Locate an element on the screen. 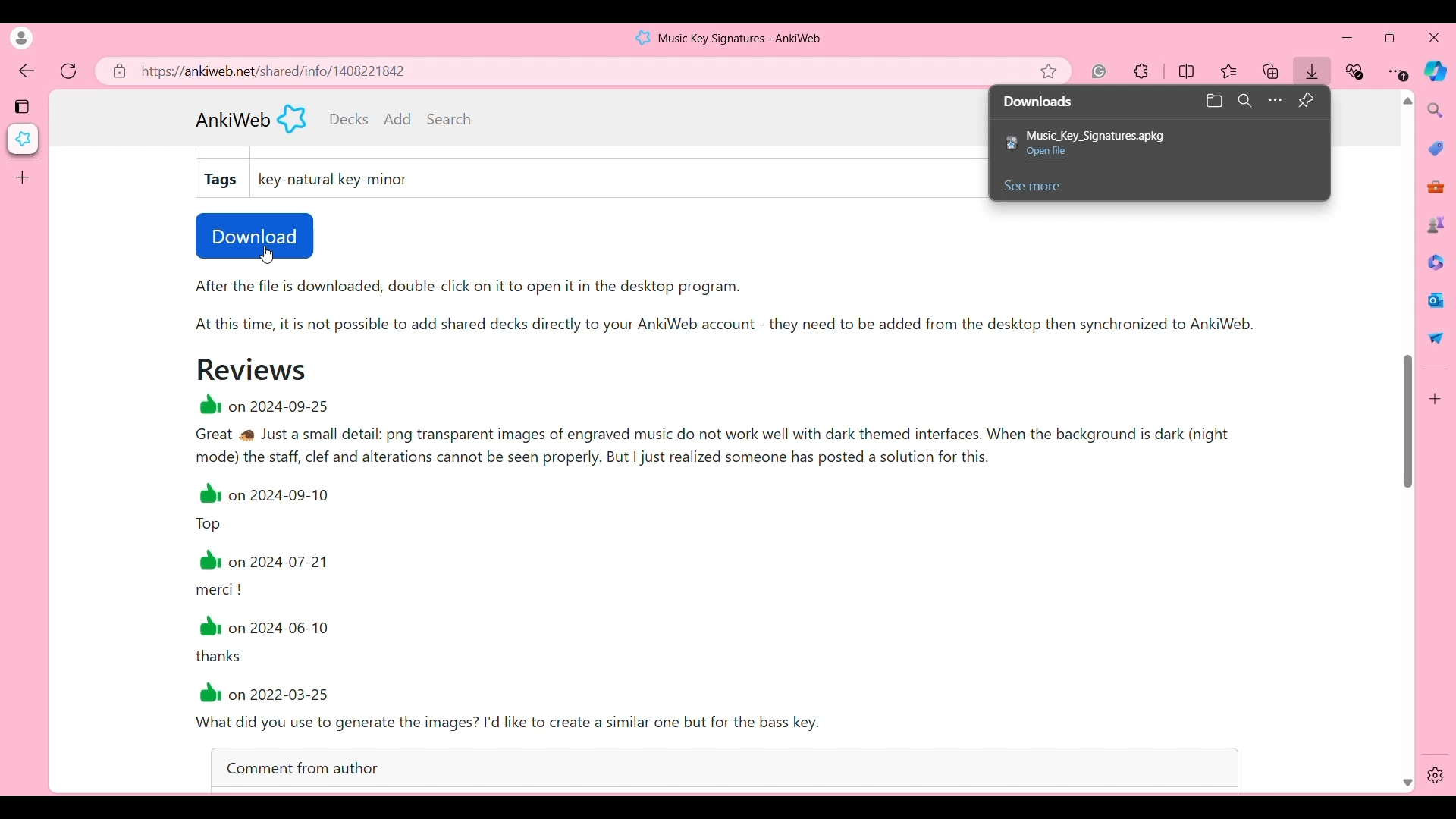 This screenshot has width=1456, height=819. Downloads icon shows among other browser icons is located at coordinates (1312, 71).